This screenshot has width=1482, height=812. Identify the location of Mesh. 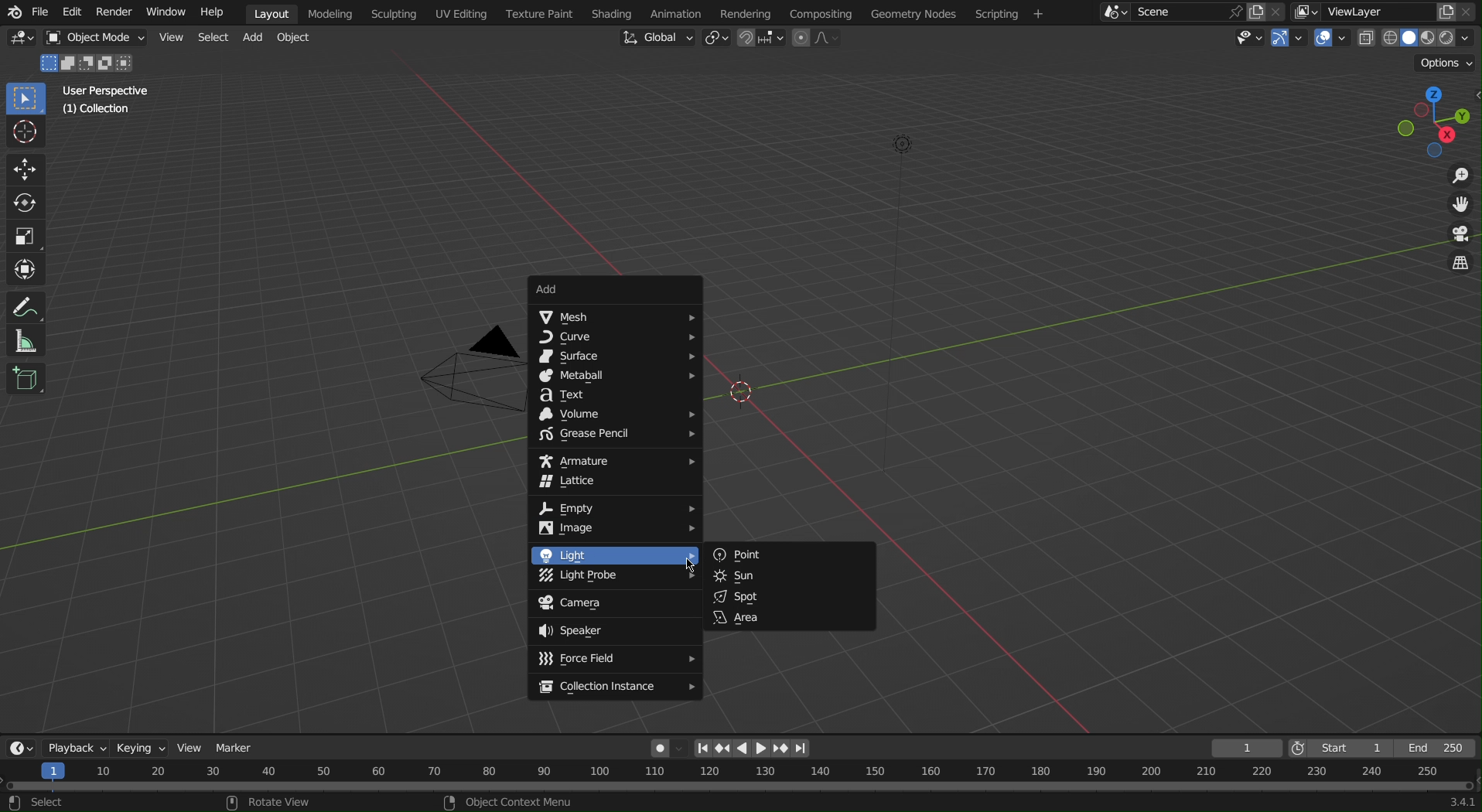
(614, 317).